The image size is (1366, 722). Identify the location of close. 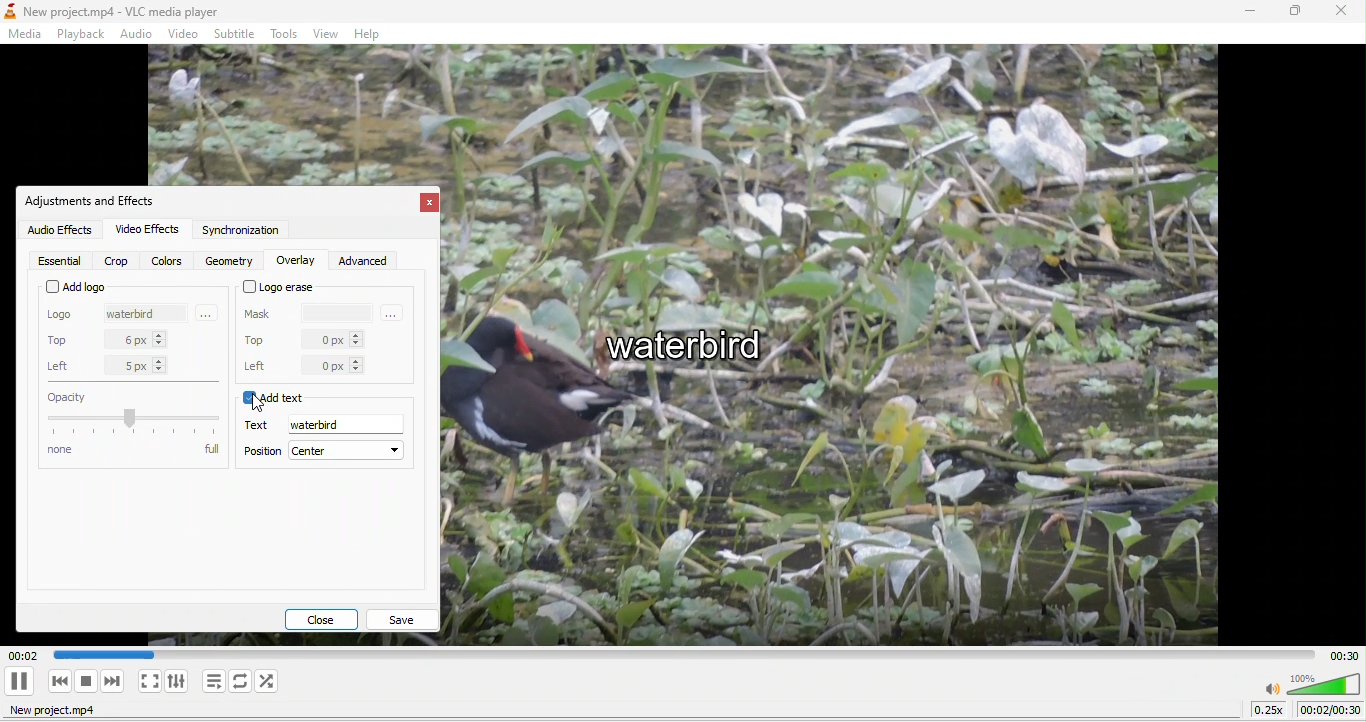
(327, 617).